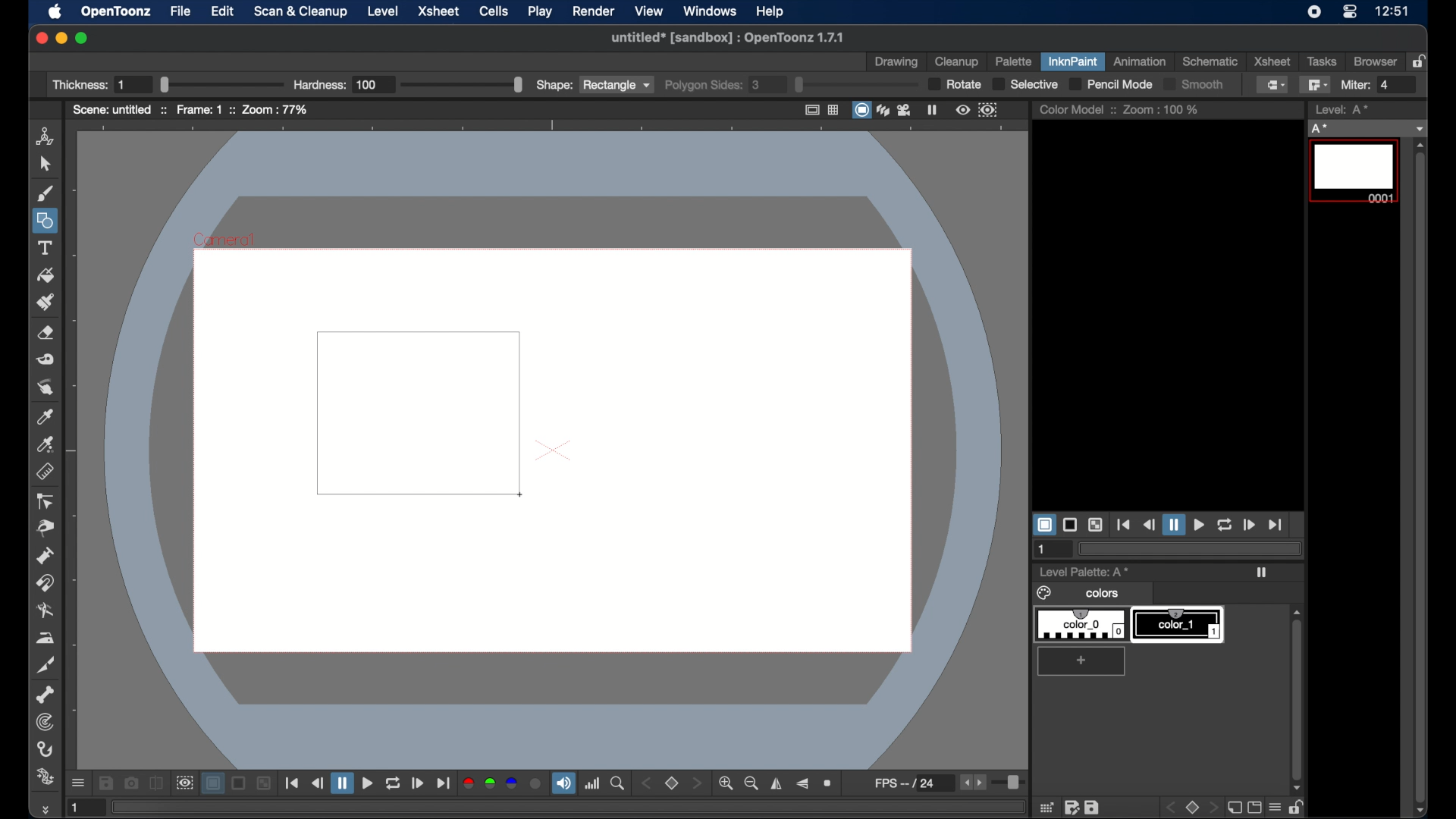  I want to click on text, so click(45, 248).